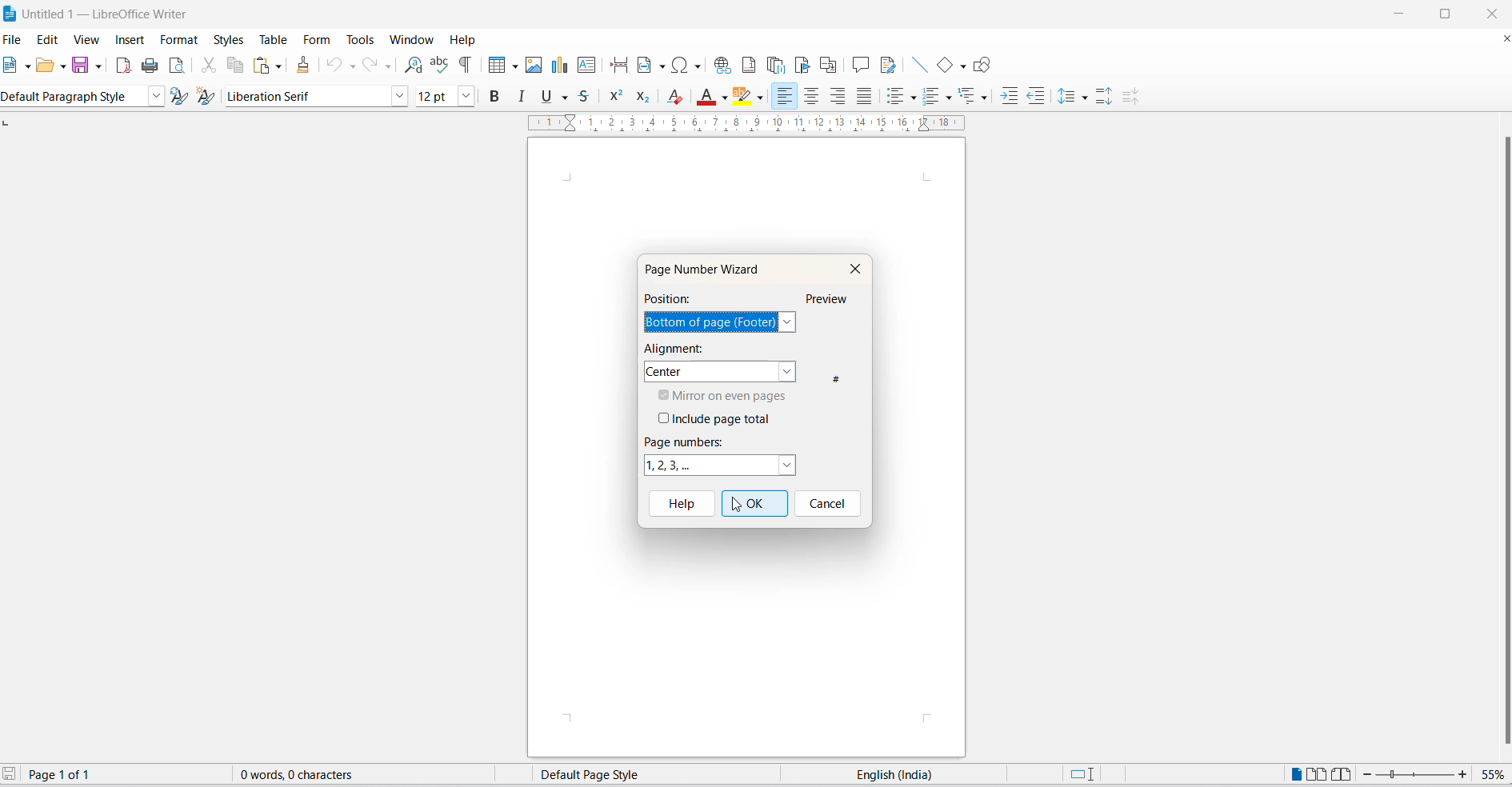 This screenshot has width=1512, height=787. I want to click on position, so click(671, 298).